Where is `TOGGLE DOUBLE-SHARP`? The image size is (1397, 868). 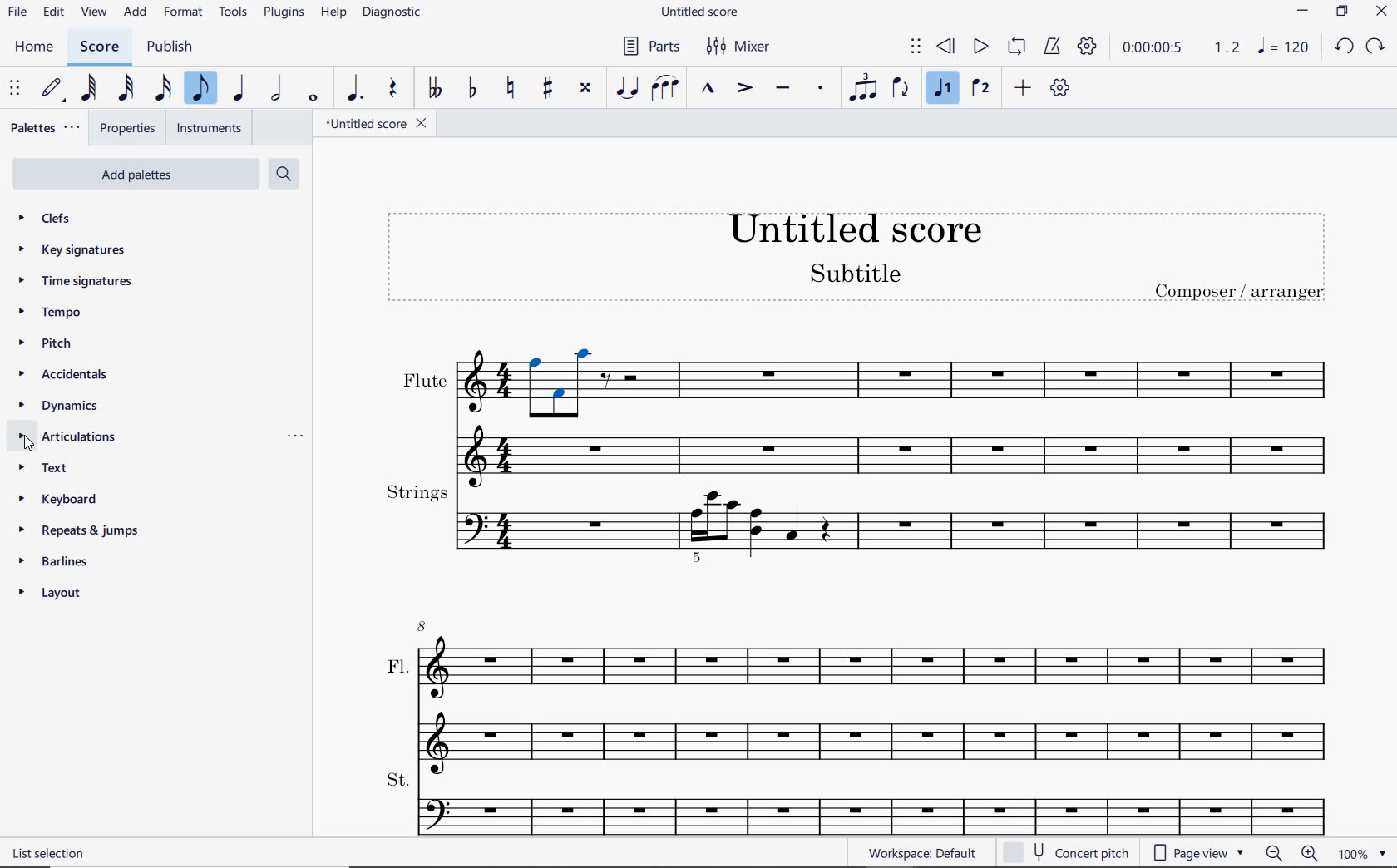 TOGGLE DOUBLE-SHARP is located at coordinates (585, 88).